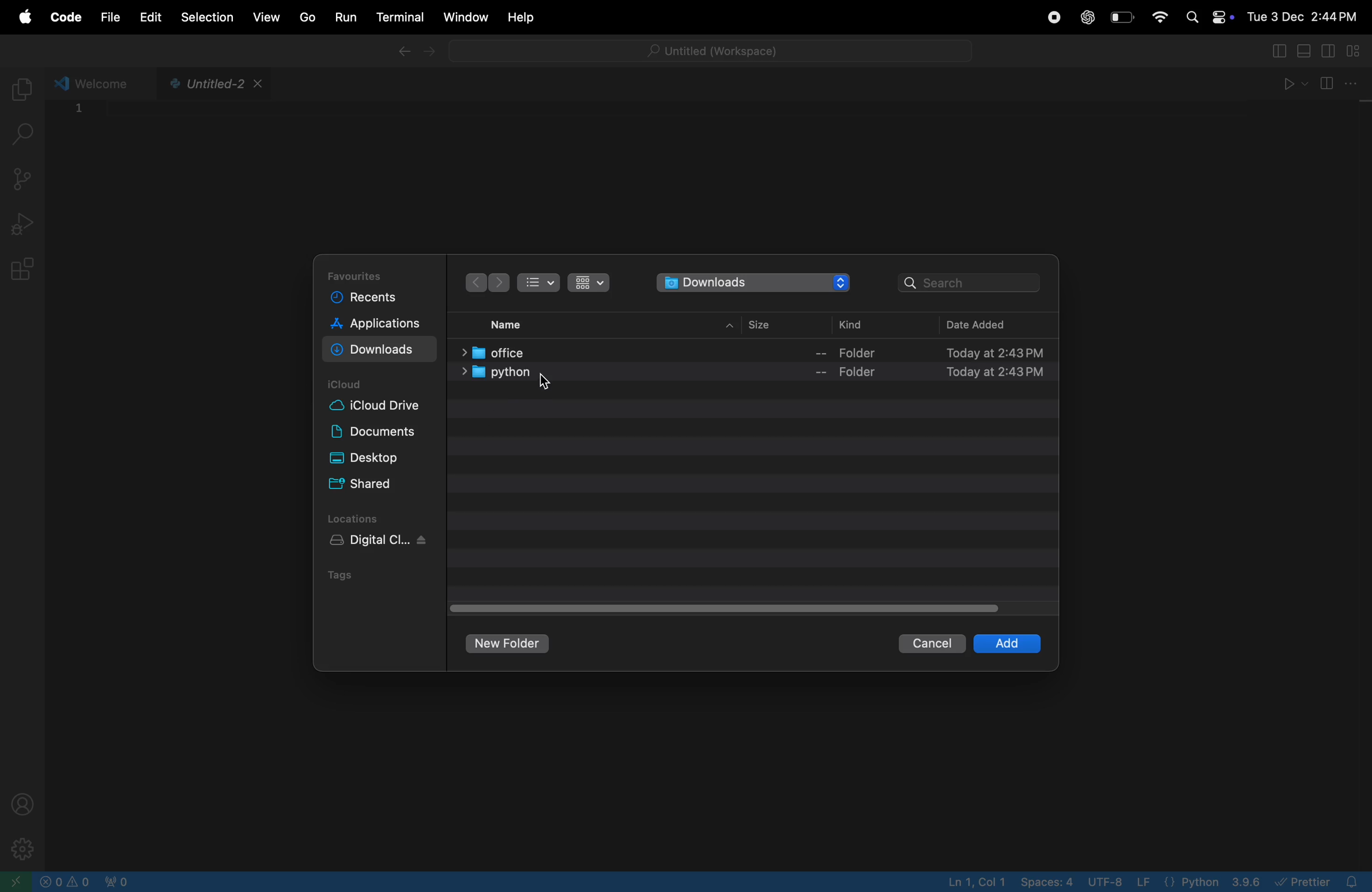 This screenshot has width=1372, height=892. What do you see at coordinates (24, 86) in the screenshot?
I see `explorer` at bounding box center [24, 86].